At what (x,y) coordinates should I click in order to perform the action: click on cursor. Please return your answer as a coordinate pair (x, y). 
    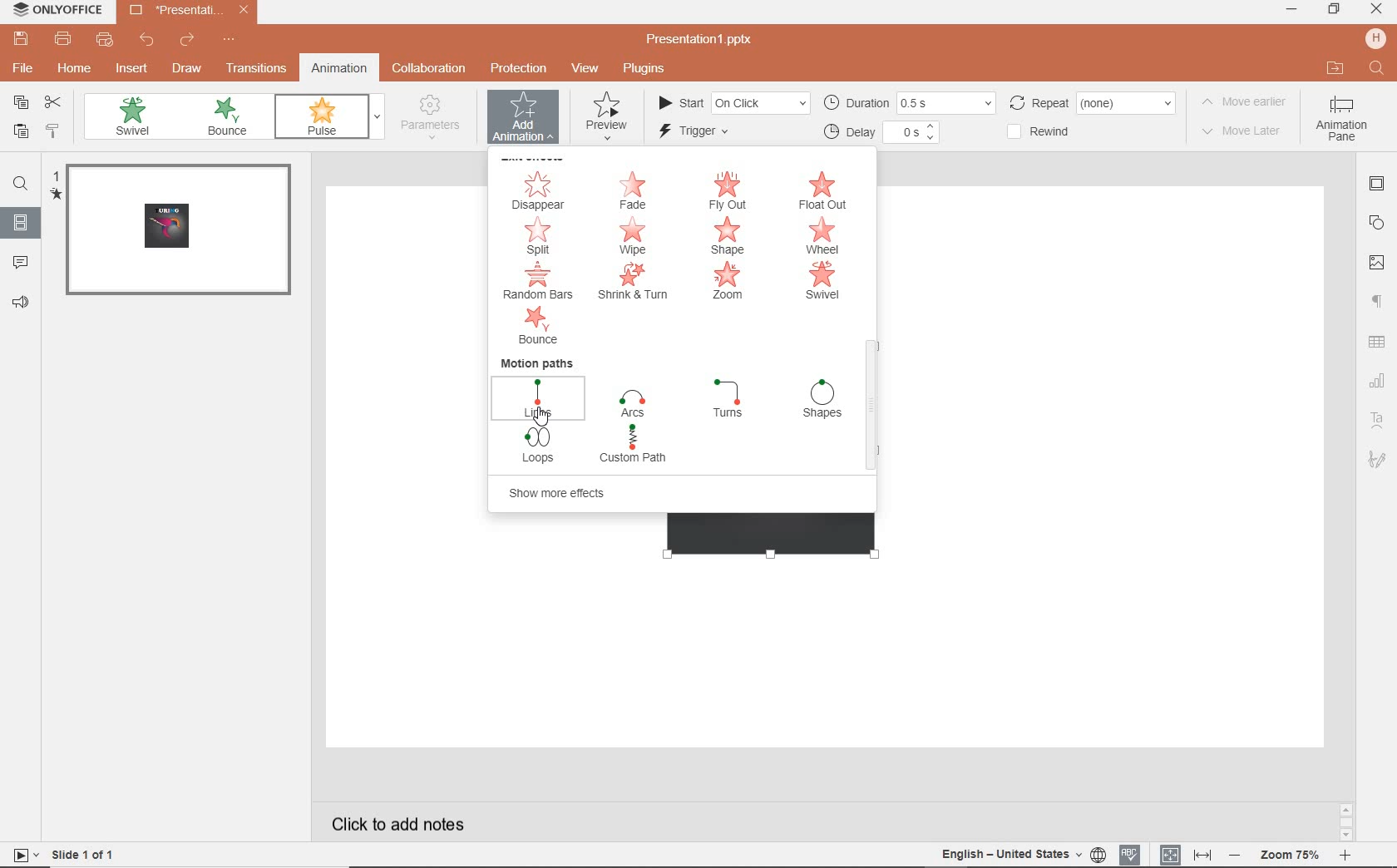
    Looking at the image, I should click on (543, 420).